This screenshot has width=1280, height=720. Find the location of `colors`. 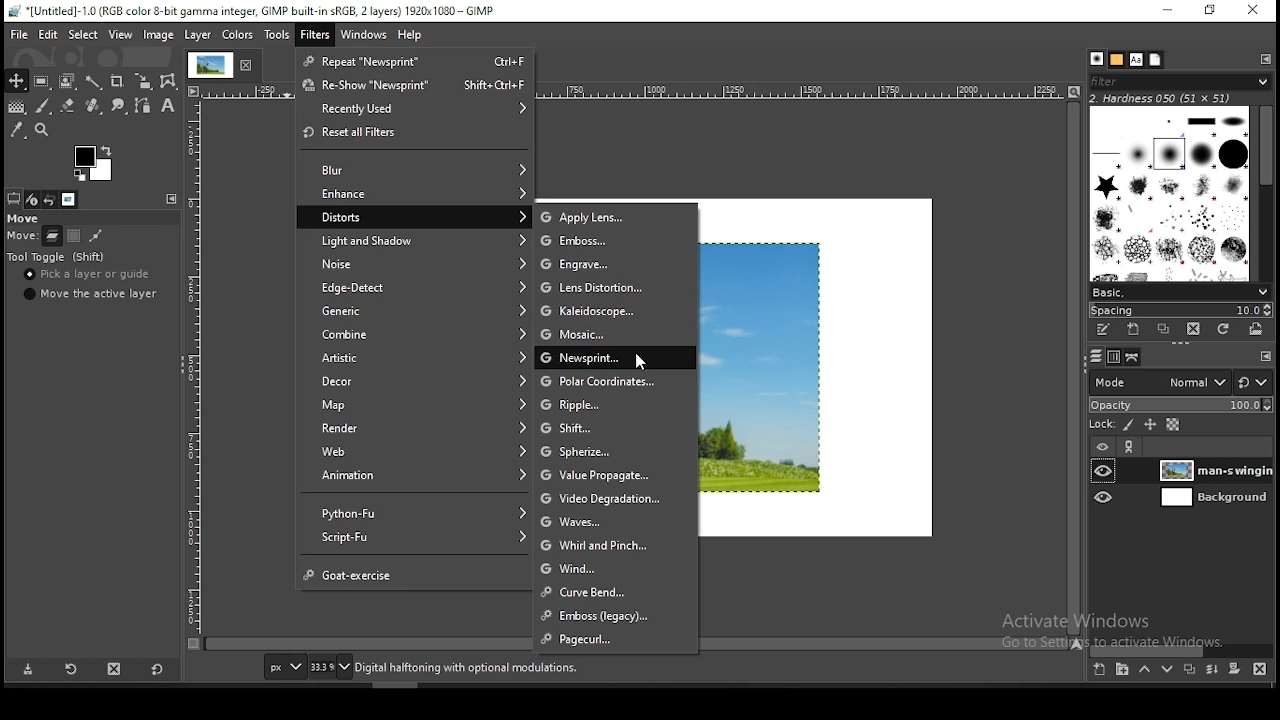

colors is located at coordinates (93, 163).